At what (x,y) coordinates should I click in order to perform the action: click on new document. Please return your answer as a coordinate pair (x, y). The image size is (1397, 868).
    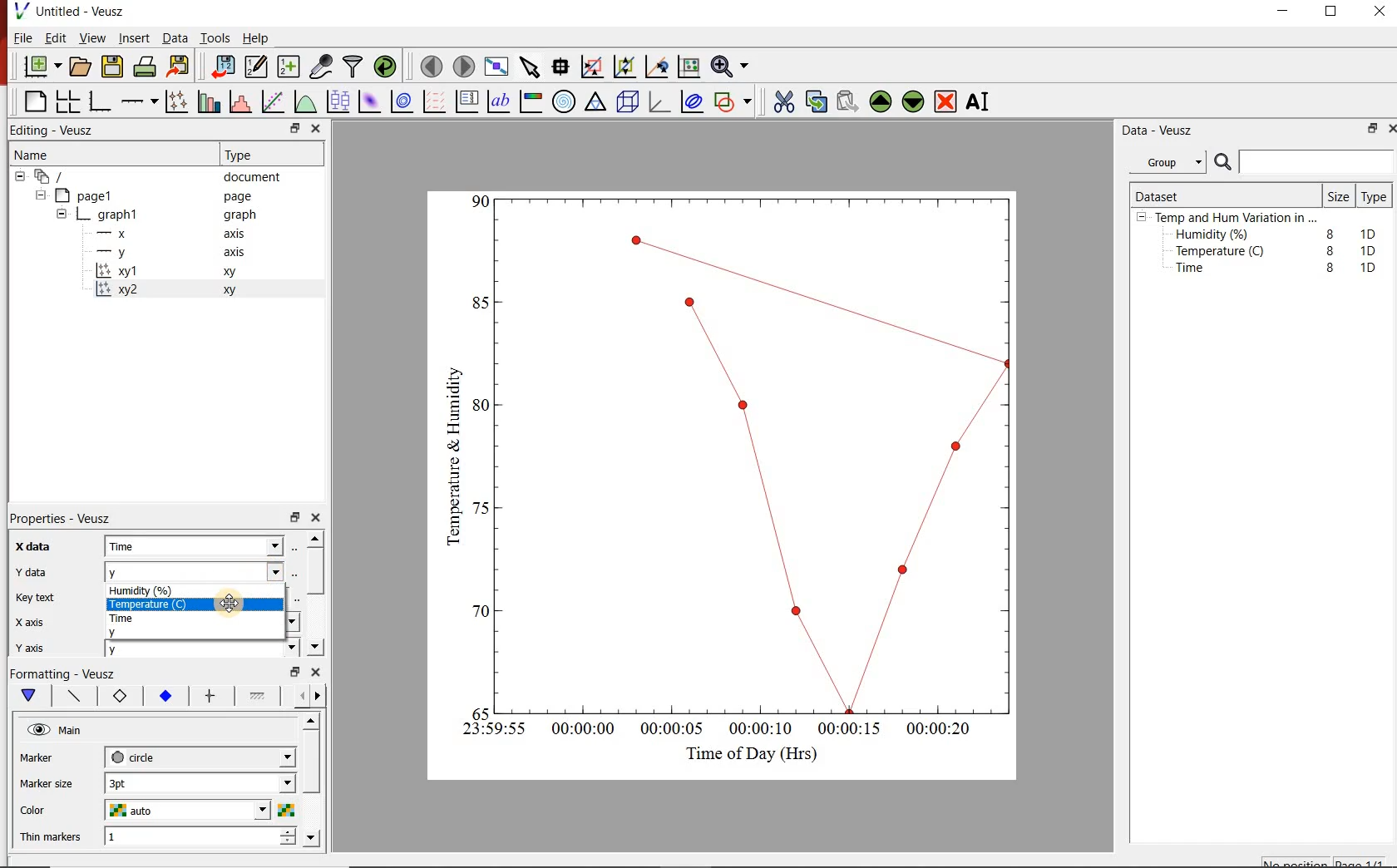
    Looking at the image, I should click on (41, 67).